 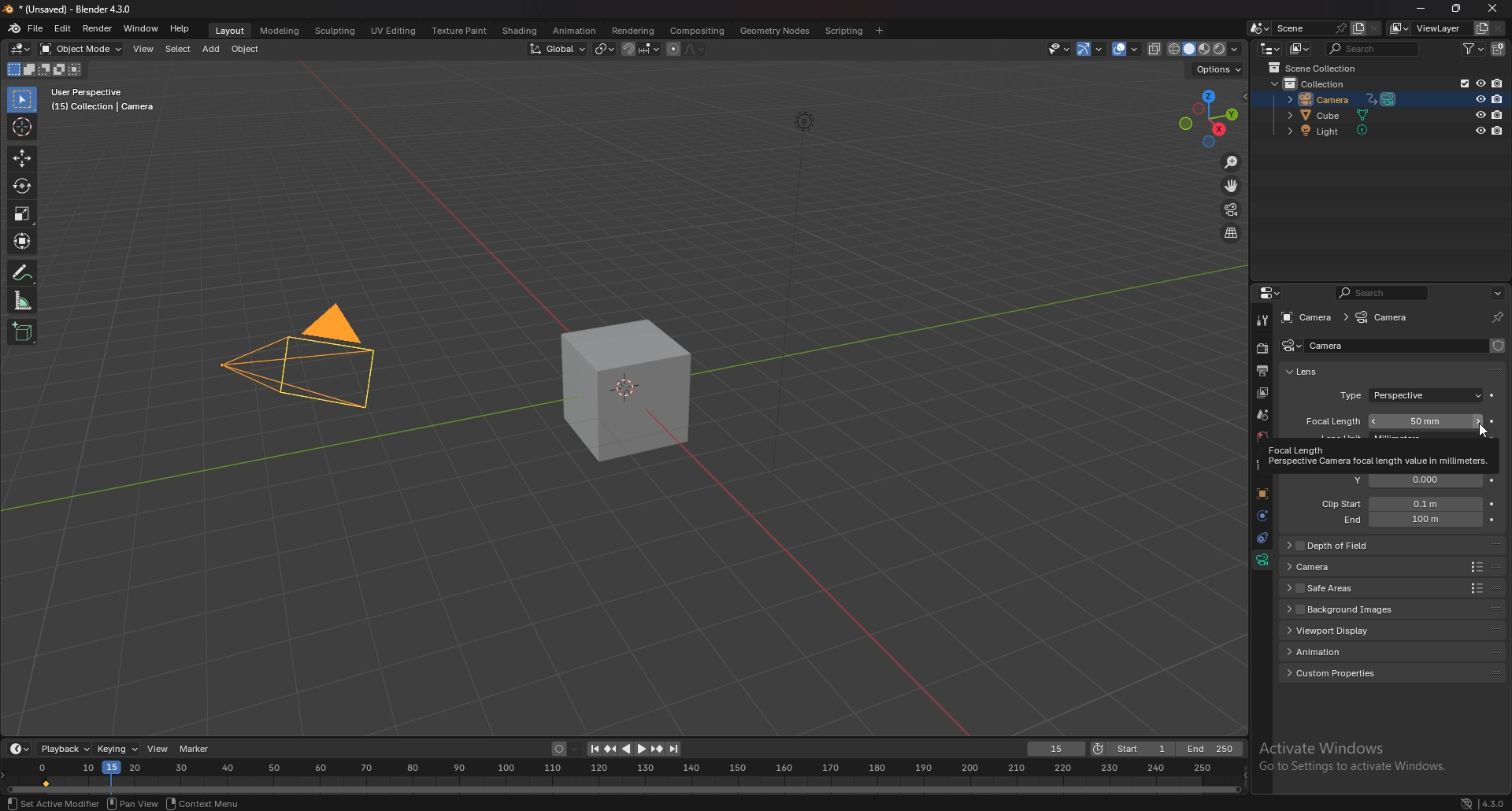 I want to click on physics, so click(x=1261, y=515).